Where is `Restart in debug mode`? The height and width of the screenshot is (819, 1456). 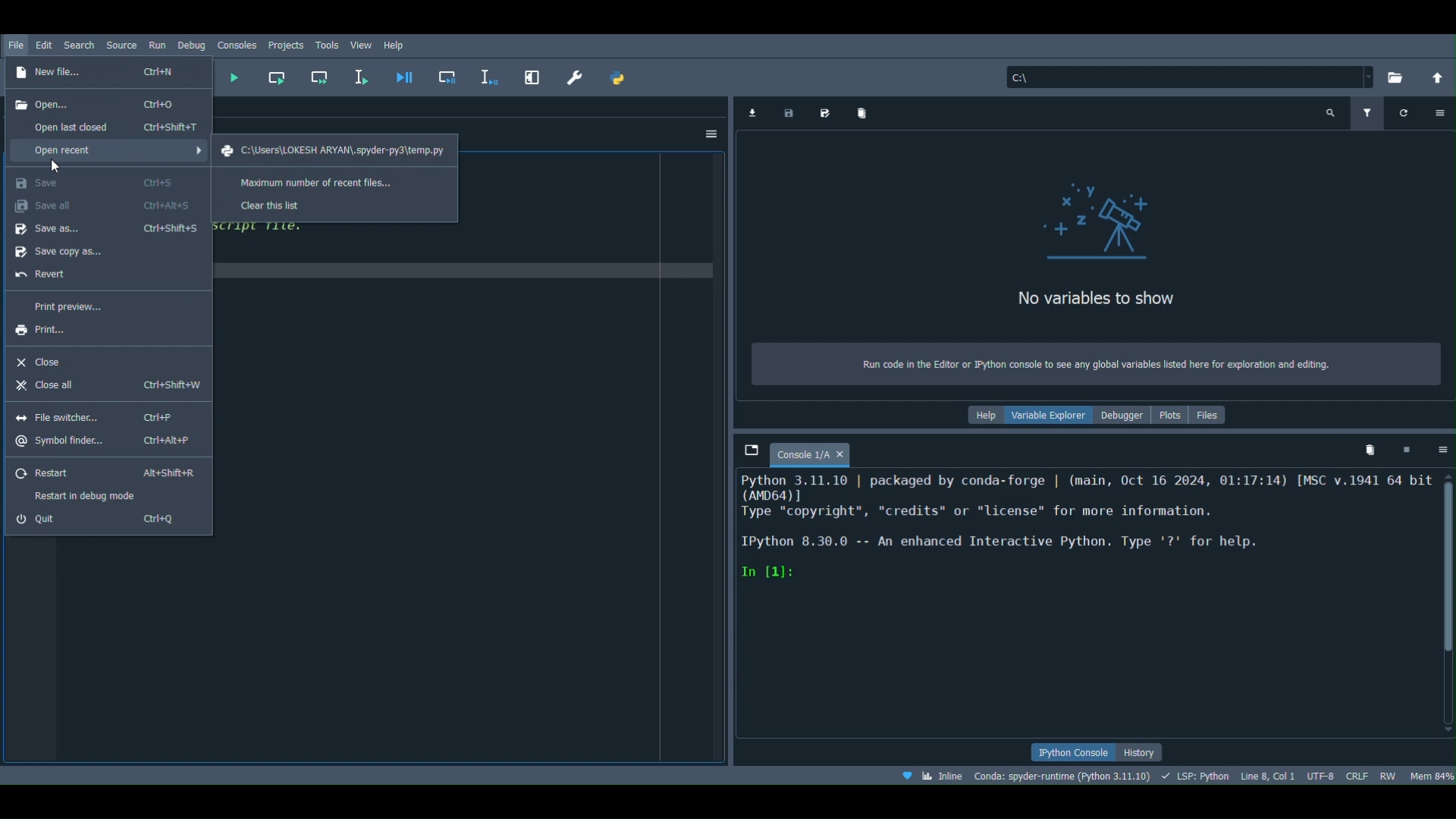
Restart in debug mode is located at coordinates (90, 495).